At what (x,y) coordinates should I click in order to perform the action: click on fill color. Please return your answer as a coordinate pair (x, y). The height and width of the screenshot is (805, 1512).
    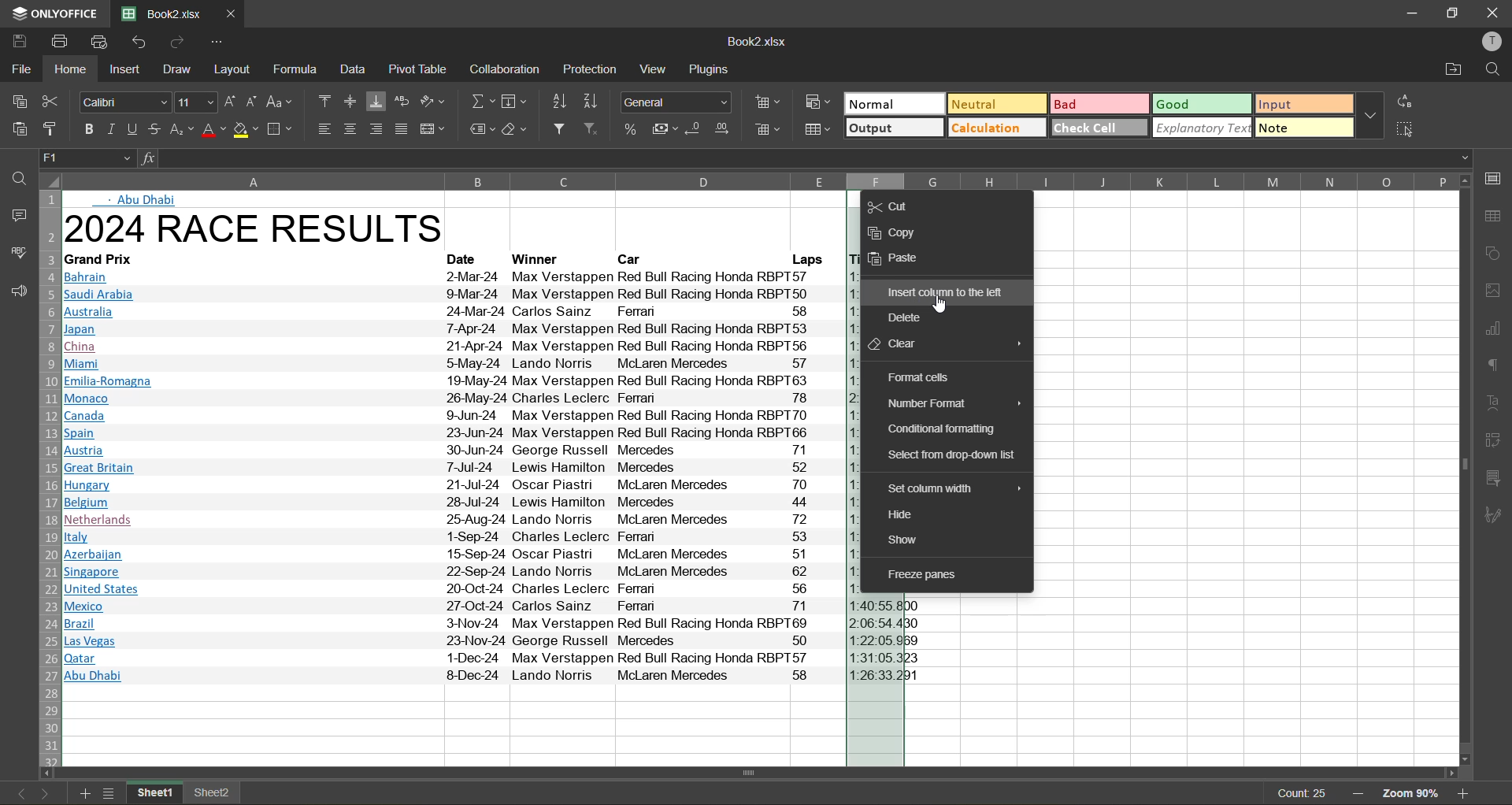
    Looking at the image, I should click on (245, 129).